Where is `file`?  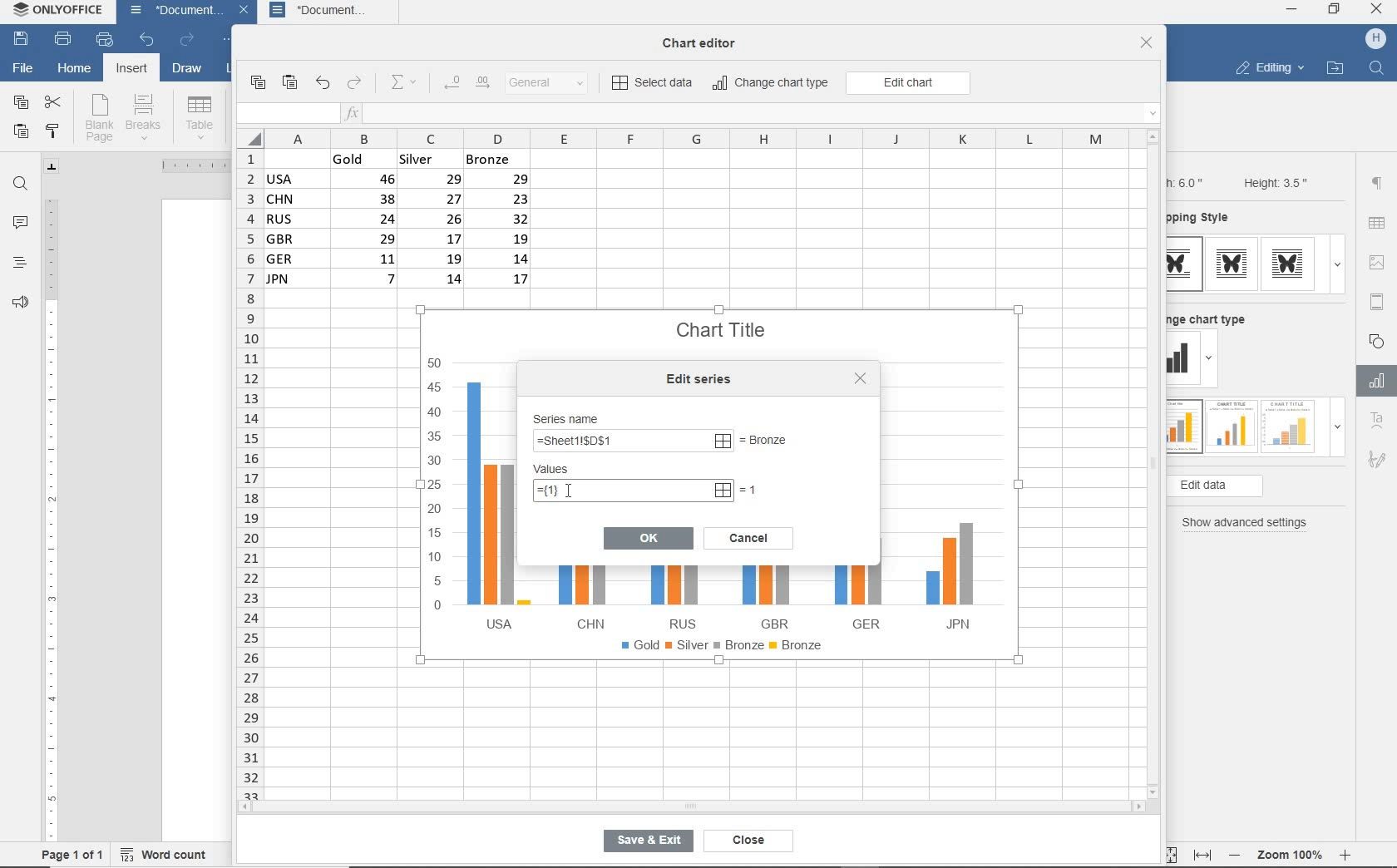
file is located at coordinates (22, 67).